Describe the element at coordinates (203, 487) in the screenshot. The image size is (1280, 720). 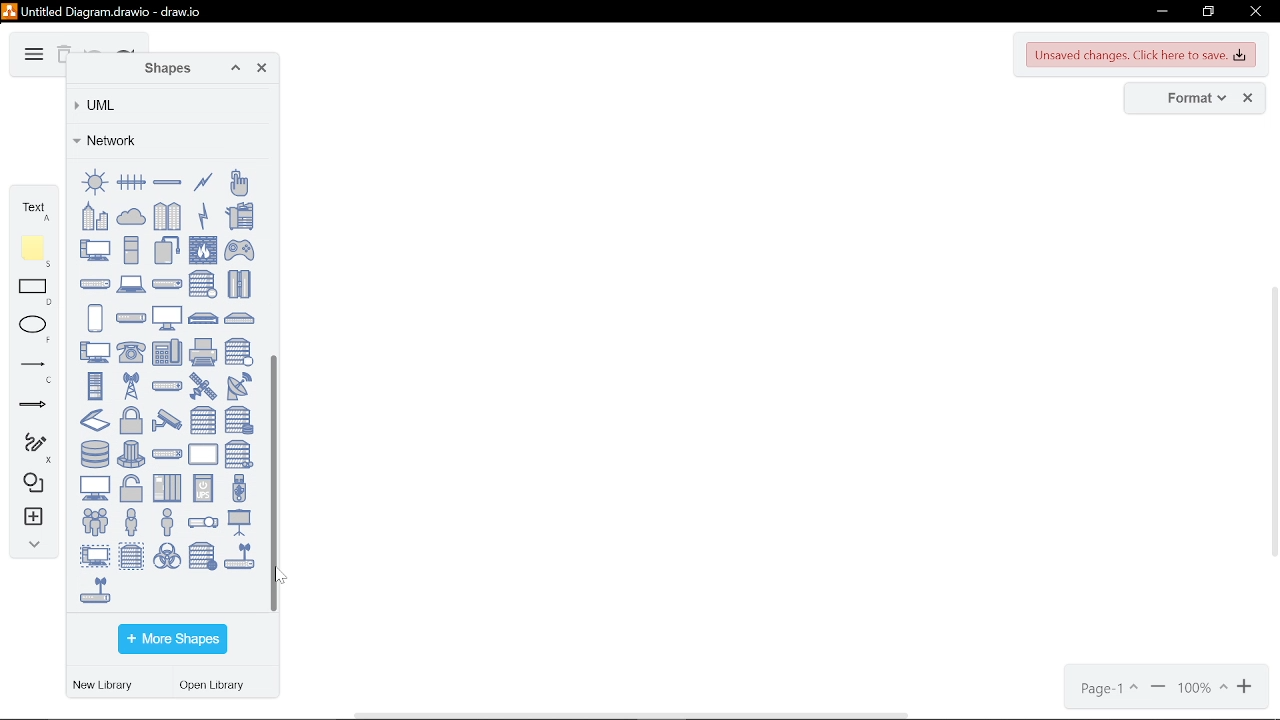
I see `UPS small` at that location.